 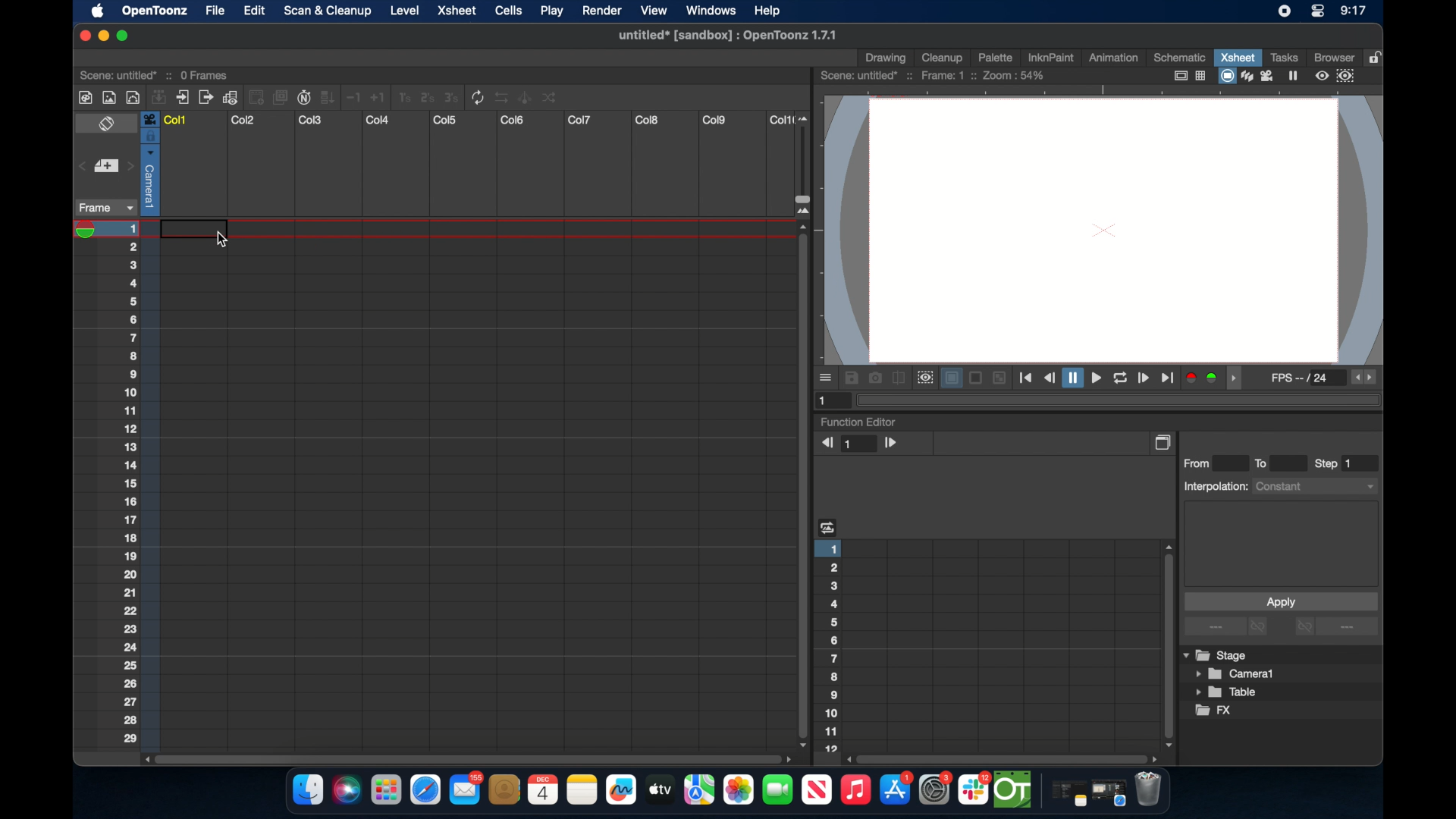 What do you see at coordinates (738, 790) in the screenshot?
I see `photos` at bounding box center [738, 790].